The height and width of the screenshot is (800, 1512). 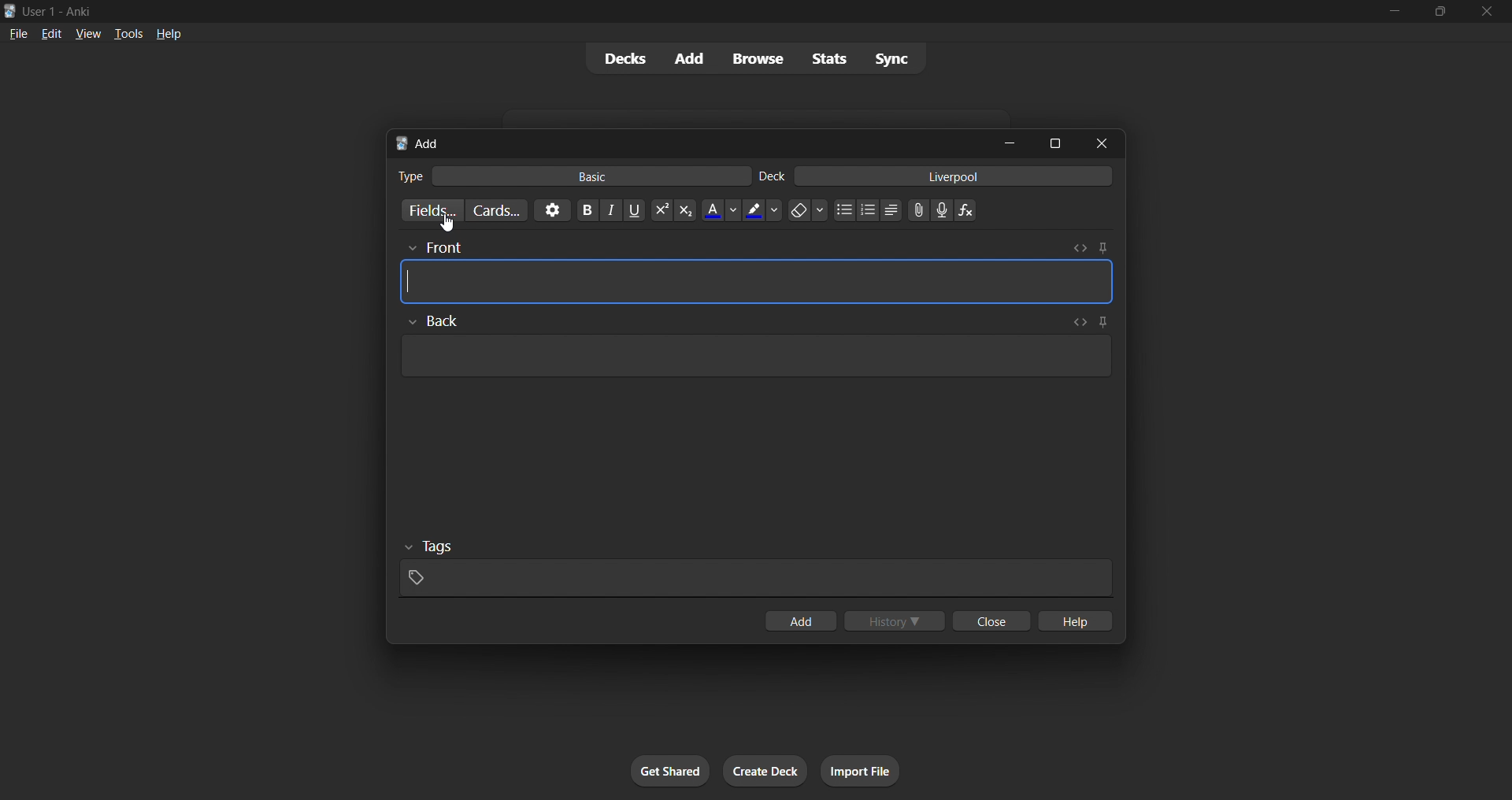 What do you see at coordinates (434, 249) in the screenshot?
I see `` at bounding box center [434, 249].